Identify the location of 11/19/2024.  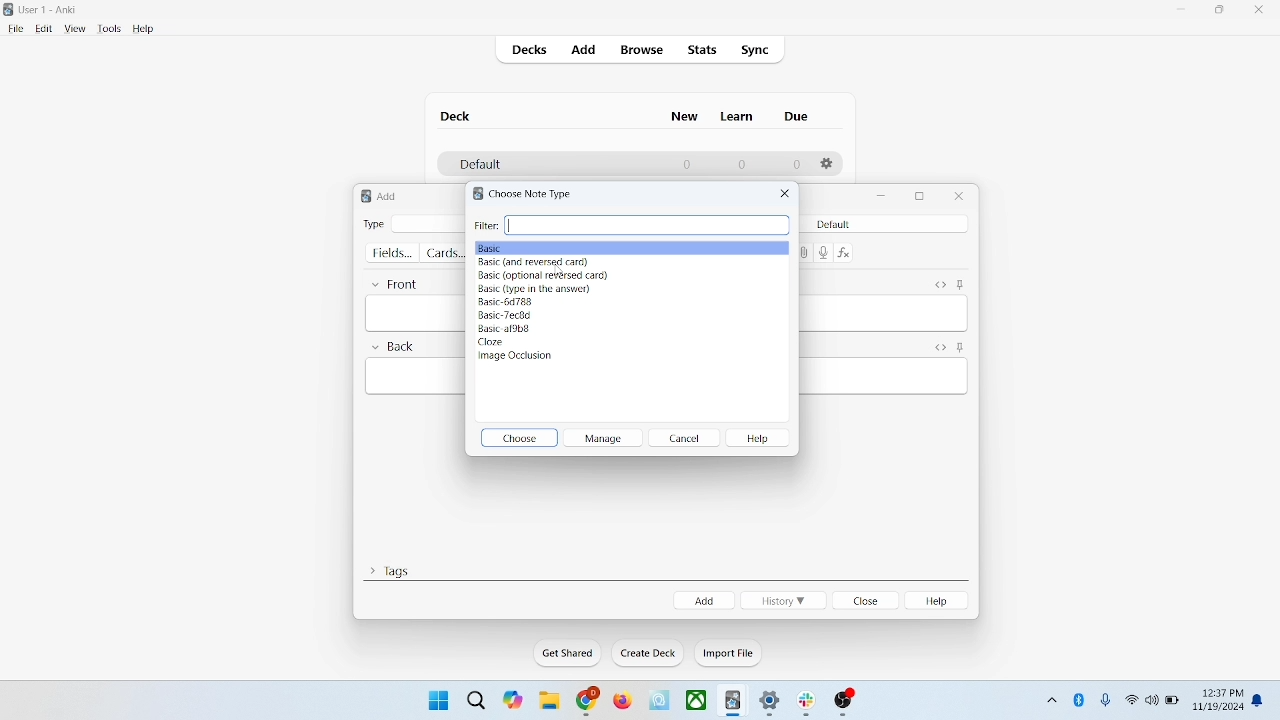
(1217, 708).